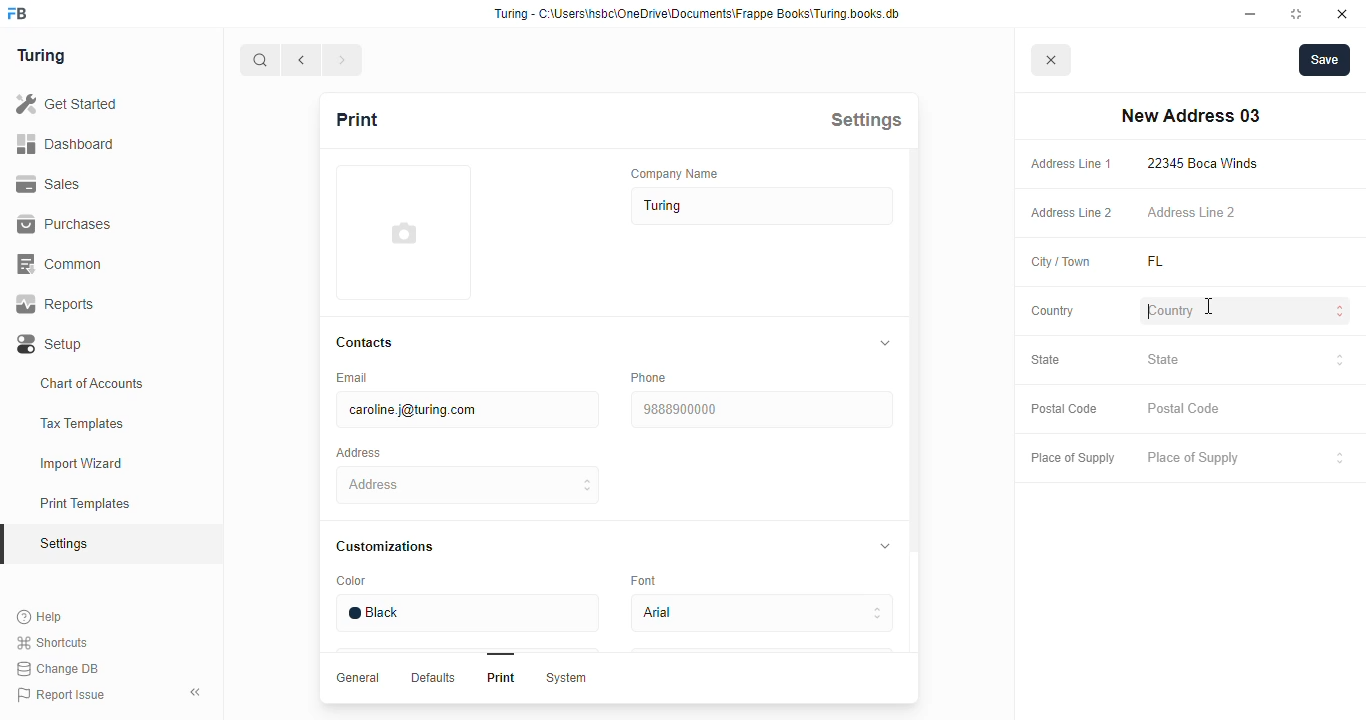  What do you see at coordinates (1180, 262) in the screenshot?
I see `FL` at bounding box center [1180, 262].